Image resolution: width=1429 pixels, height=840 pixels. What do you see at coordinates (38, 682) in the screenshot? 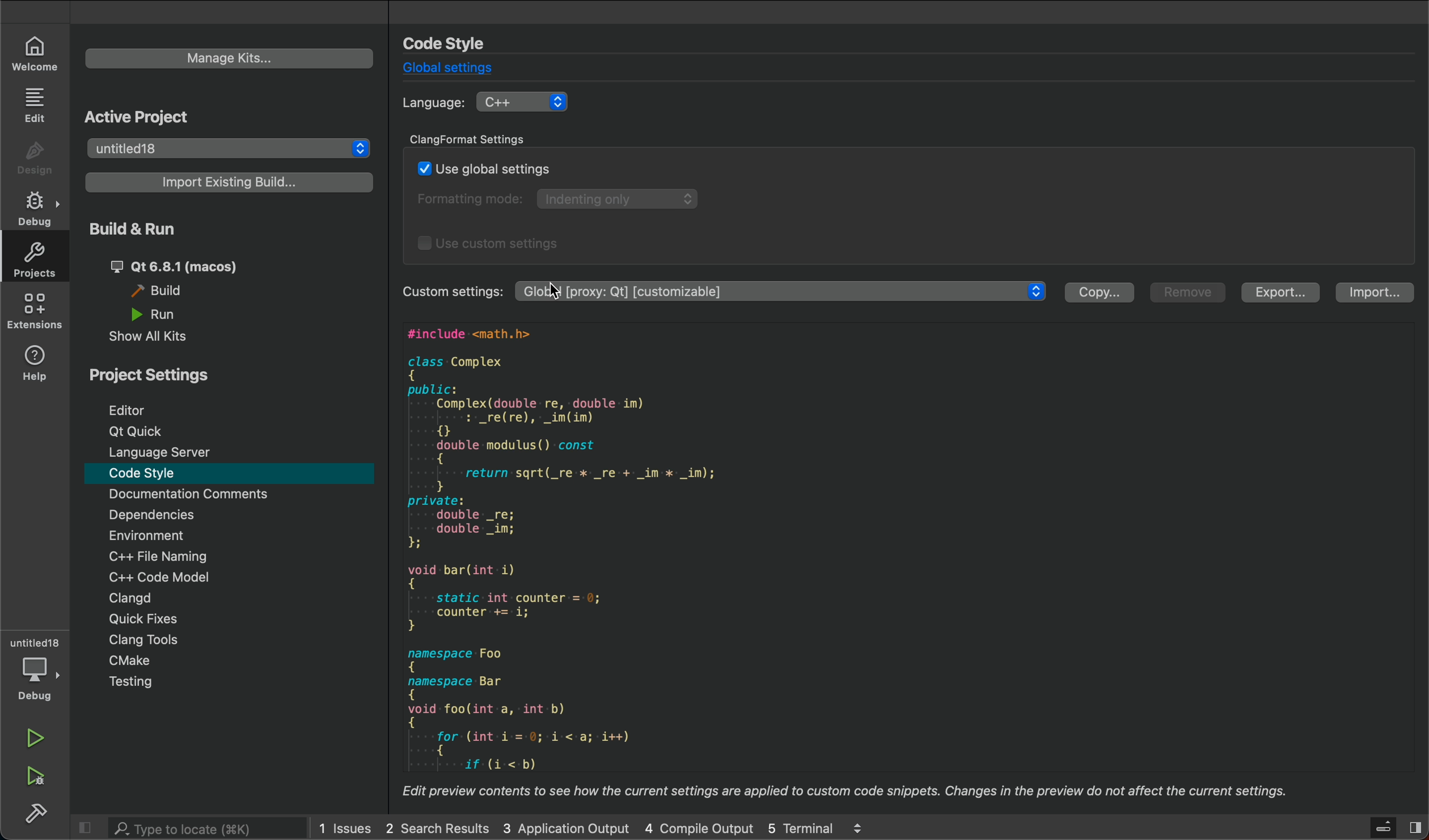
I see `debug` at bounding box center [38, 682].